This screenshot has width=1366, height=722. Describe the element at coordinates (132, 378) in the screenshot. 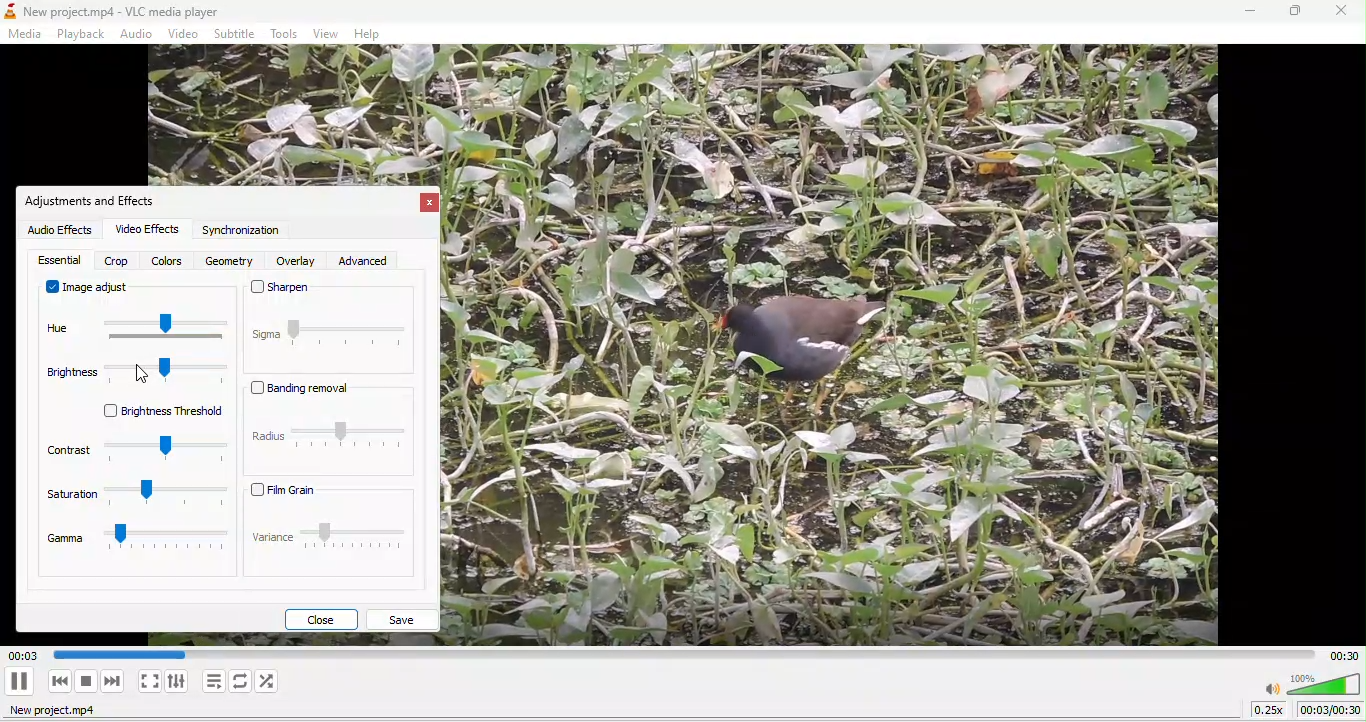

I see `brightness` at that location.